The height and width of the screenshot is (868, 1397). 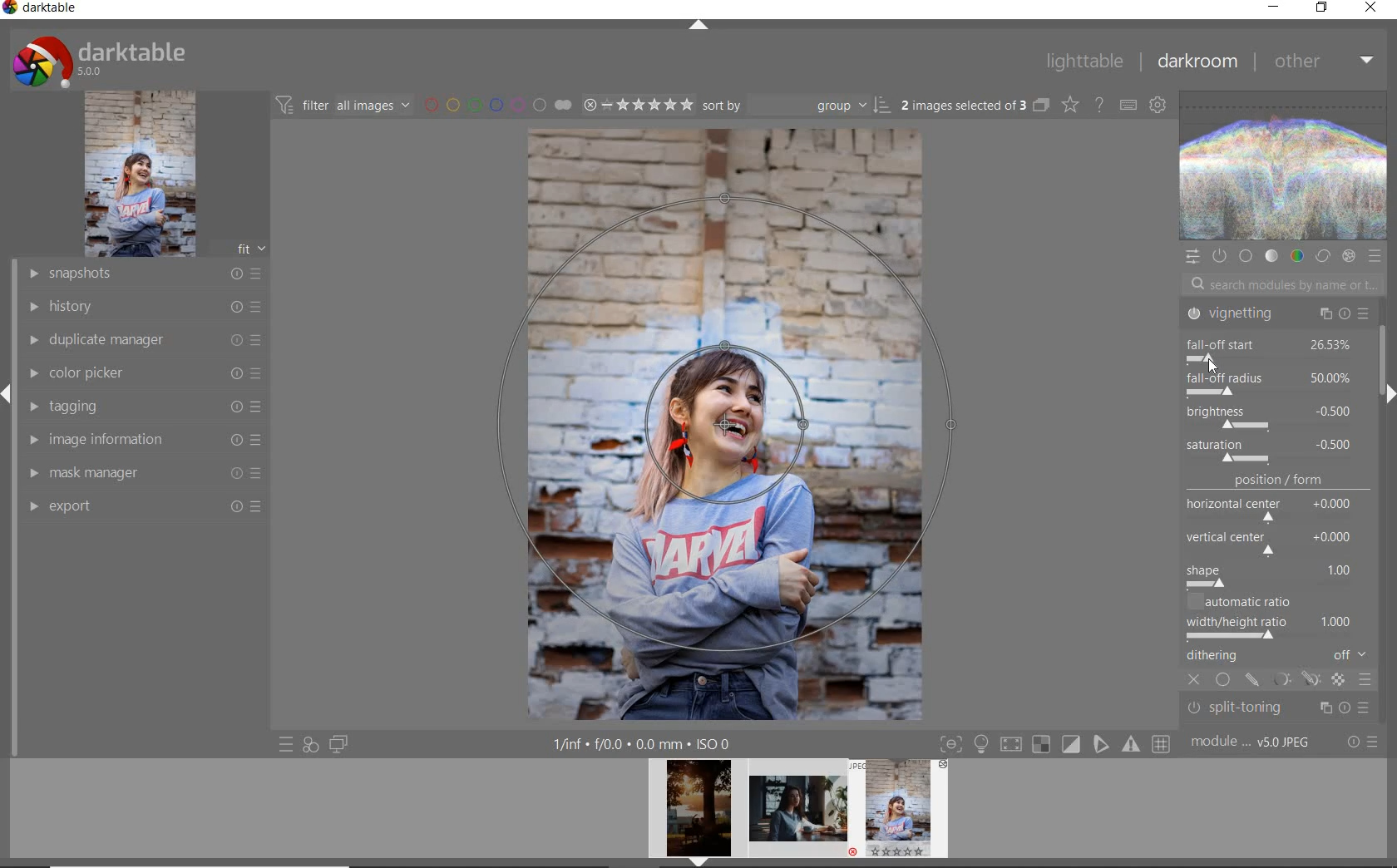 I want to click on MINIMIZE, so click(x=1273, y=7).